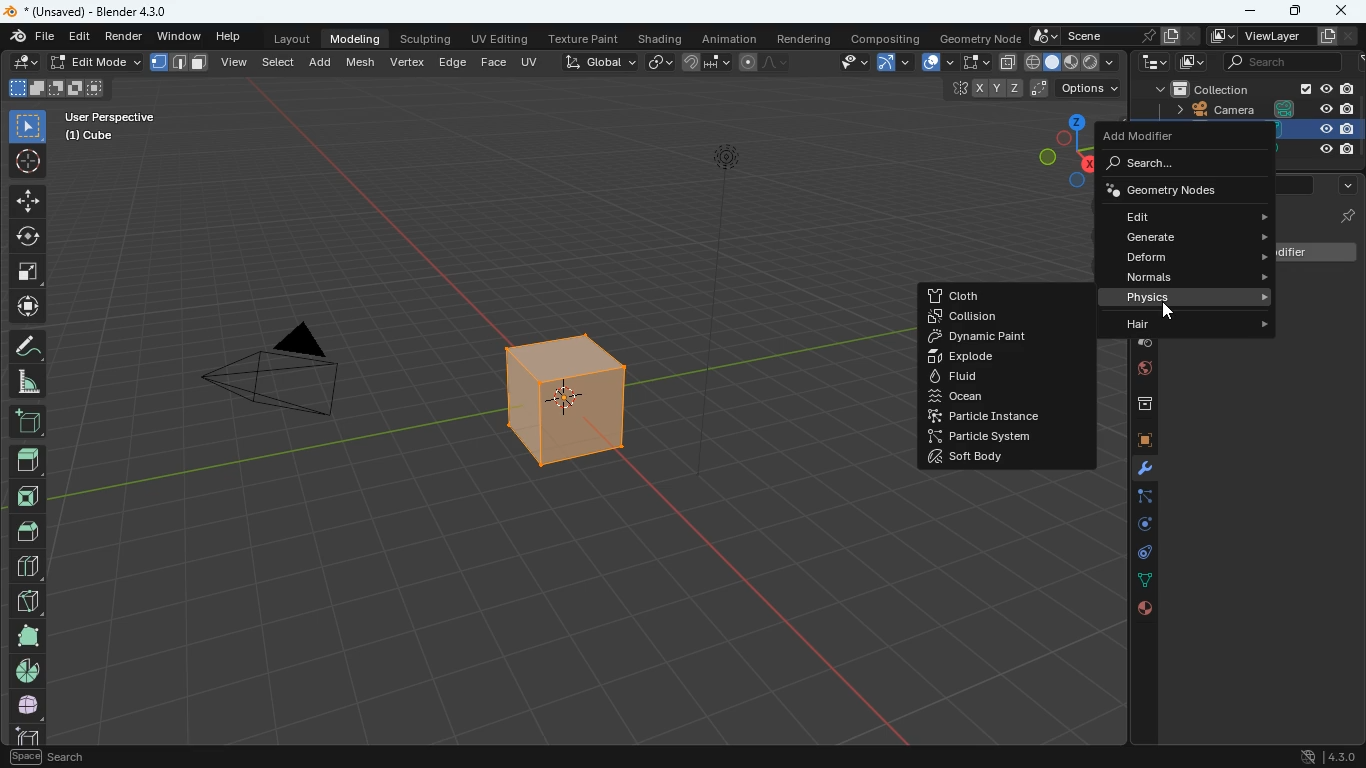  Describe the element at coordinates (1198, 257) in the screenshot. I see `deform` at that location.